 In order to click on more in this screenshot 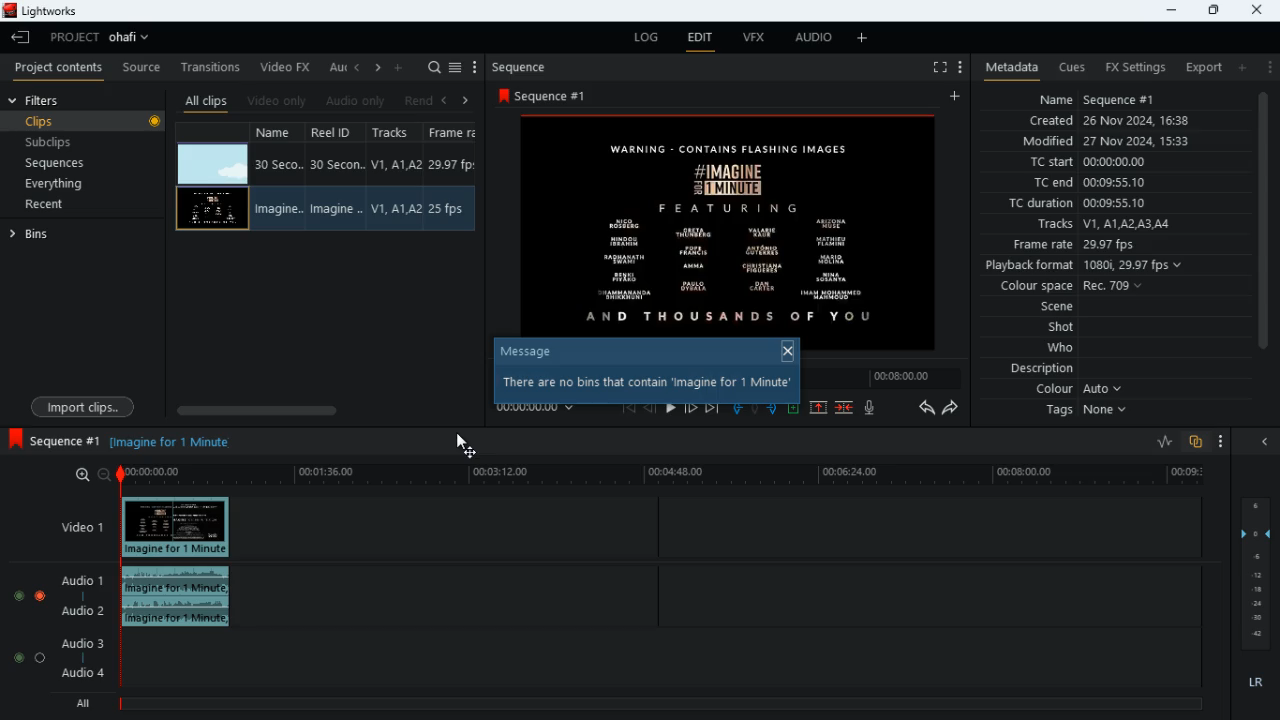, I will do `click(1216, 440)`.